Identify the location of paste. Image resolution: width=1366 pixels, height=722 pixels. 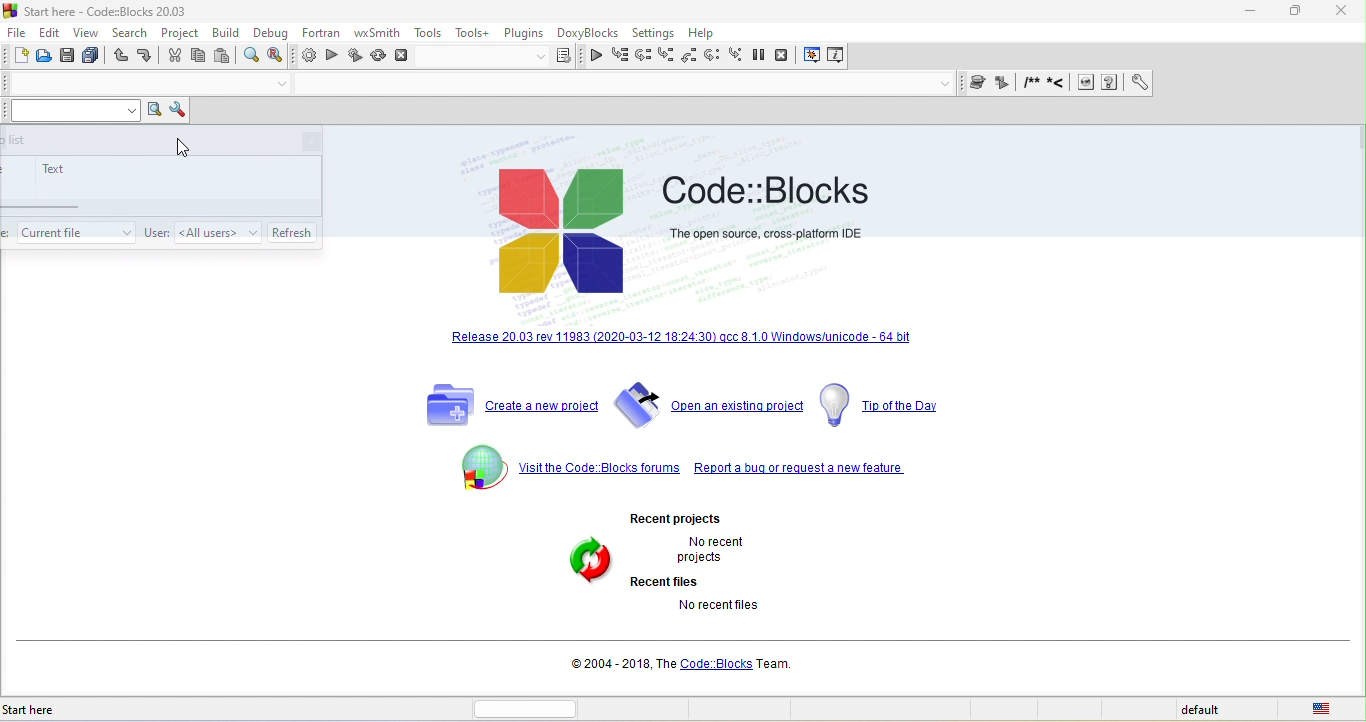
(223, 57).